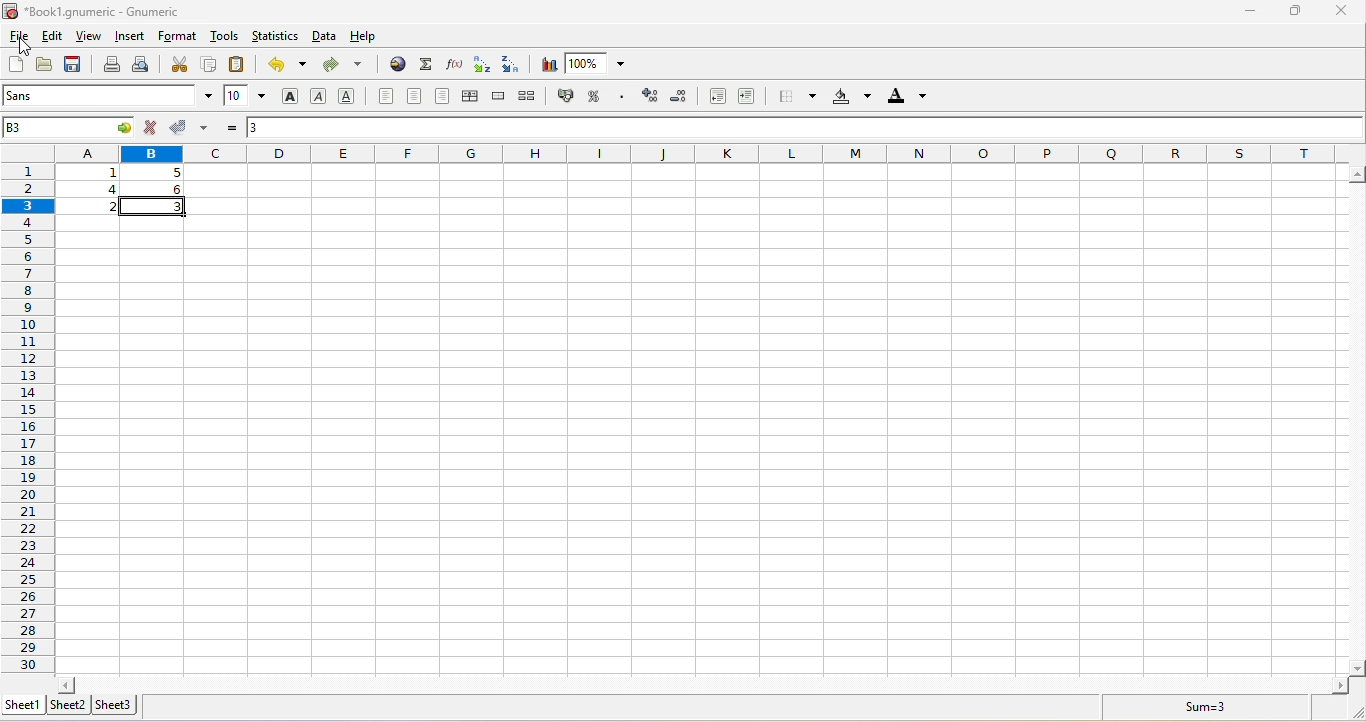 Image resolution: width=1366 pixels, height=722 pixels. Describe the element at coordinates (398, 67) in the screenshot. I see `hyperlink` at that location.